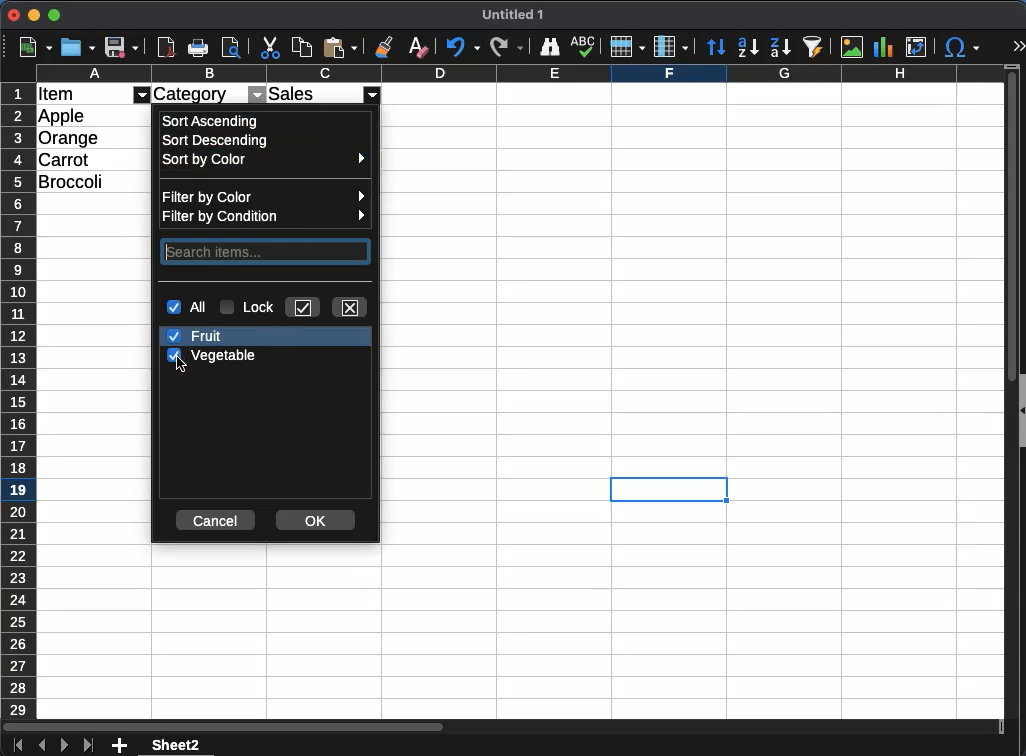 The height and width of the screenshot is (756, 1026). Describe the element at coordinates (219, 142) in the screenshot. I see `sort descending` at that location.